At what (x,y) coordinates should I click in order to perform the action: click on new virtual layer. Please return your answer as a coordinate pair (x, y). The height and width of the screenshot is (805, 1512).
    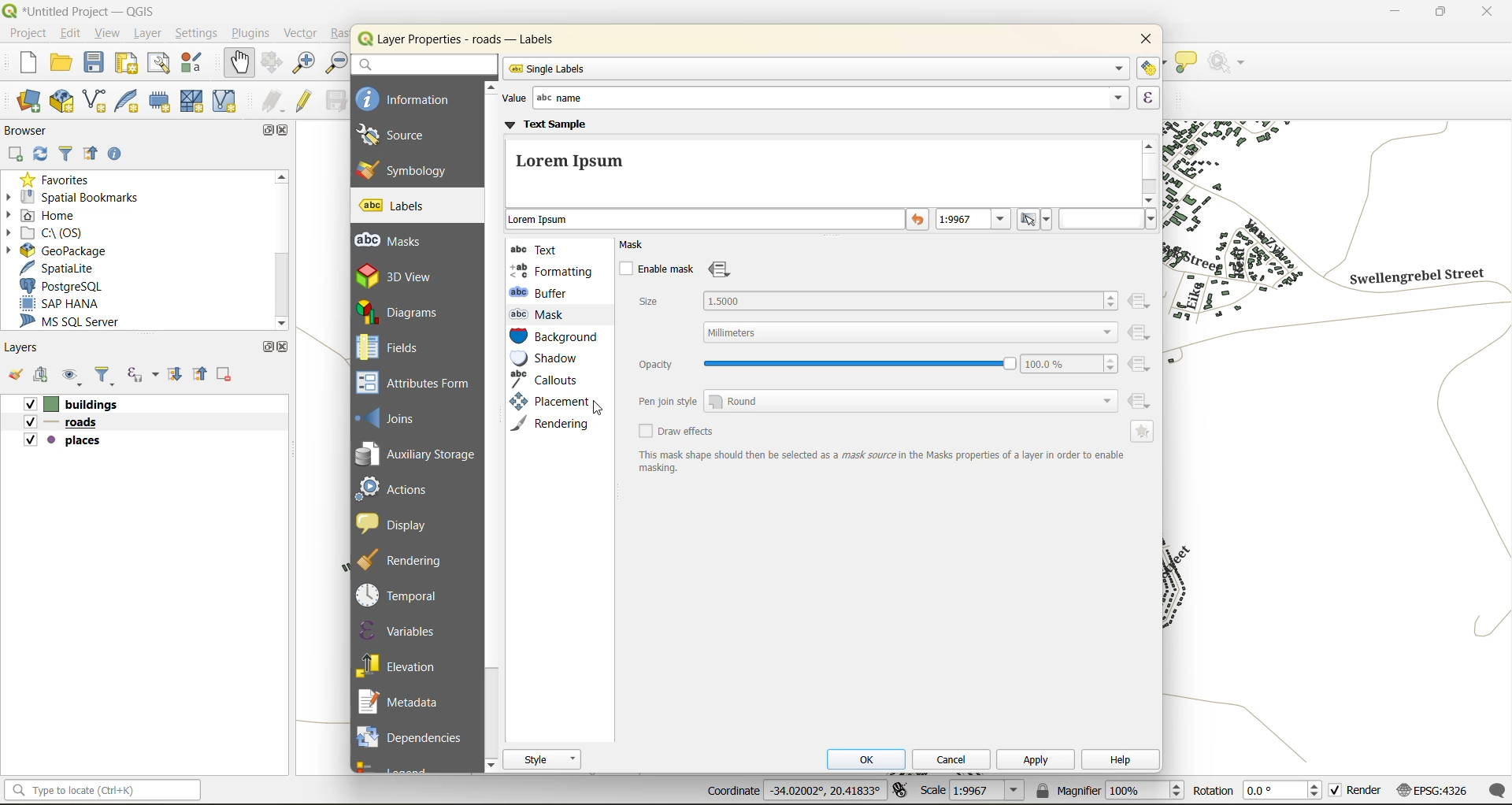
    Looking at the image, I should click on (228, 102).